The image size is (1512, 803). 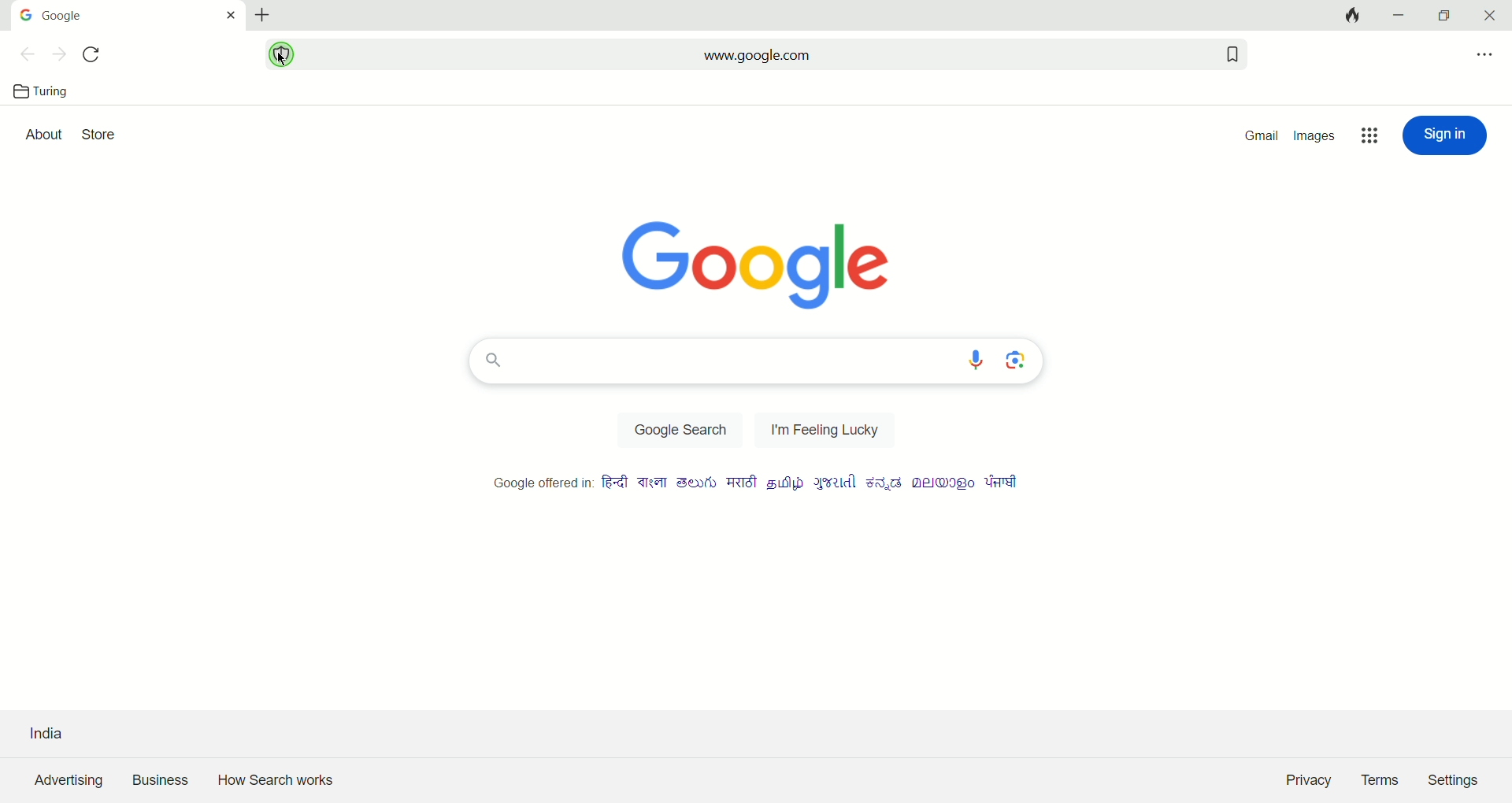 I want to click on voice search, so click(x=976, y=361).